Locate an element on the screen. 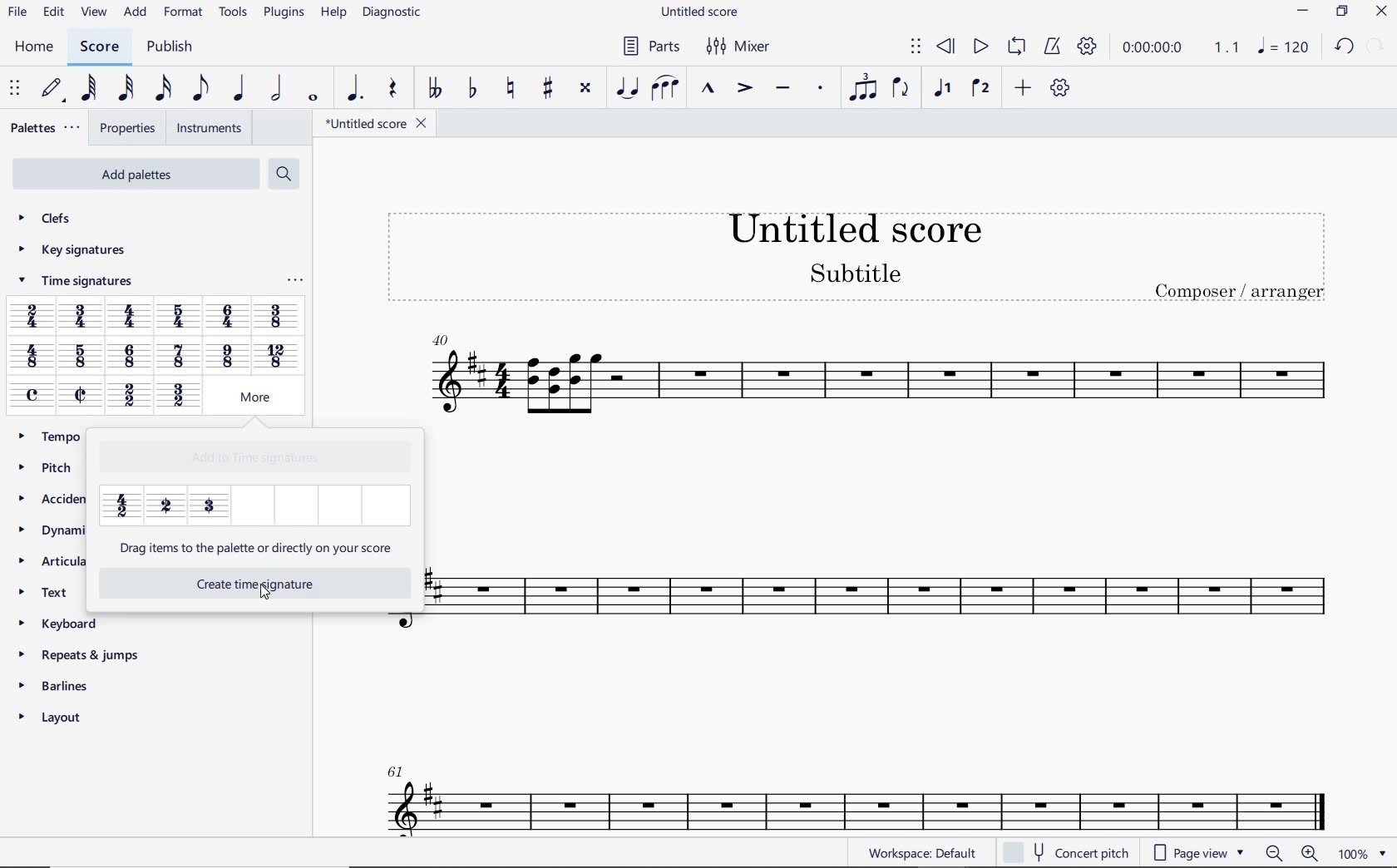 The image size is (1397, 868). create time signature is located at coordinates (239, 583).